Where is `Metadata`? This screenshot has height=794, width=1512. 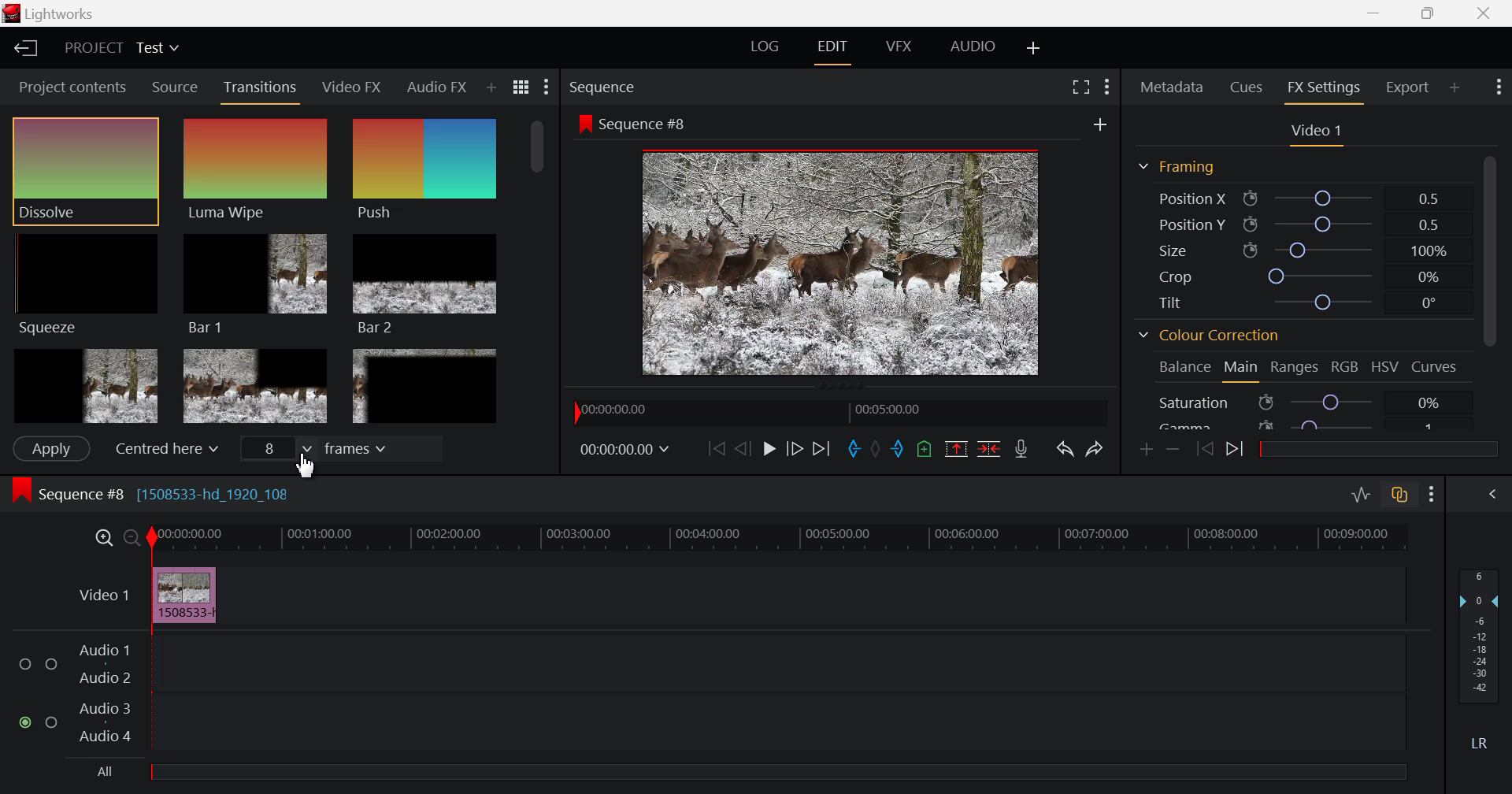 Metadata is located at coordinates (1172, 85).